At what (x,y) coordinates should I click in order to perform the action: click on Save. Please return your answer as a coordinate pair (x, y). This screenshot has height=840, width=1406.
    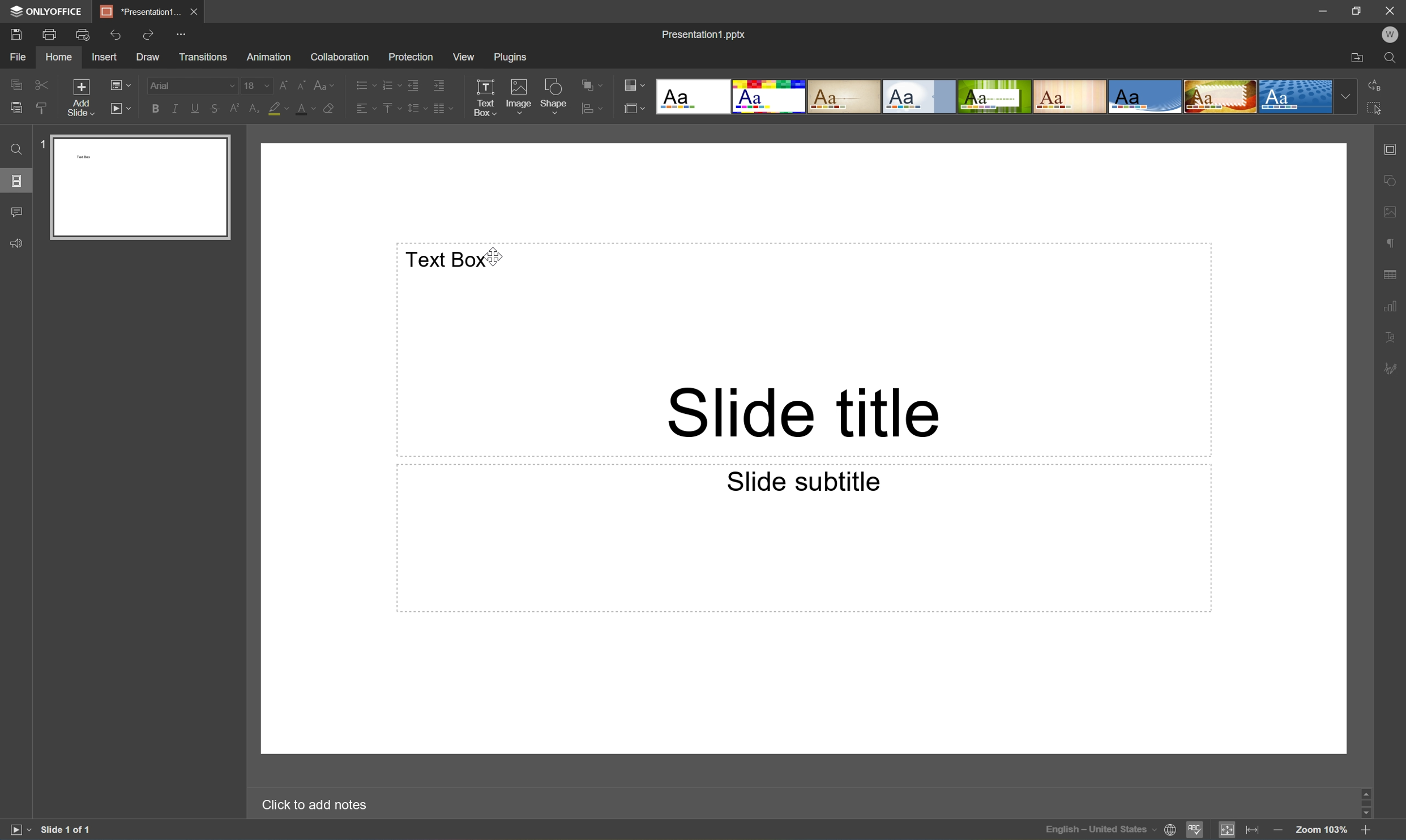
    Looking at the image, I should click on (15, 35).